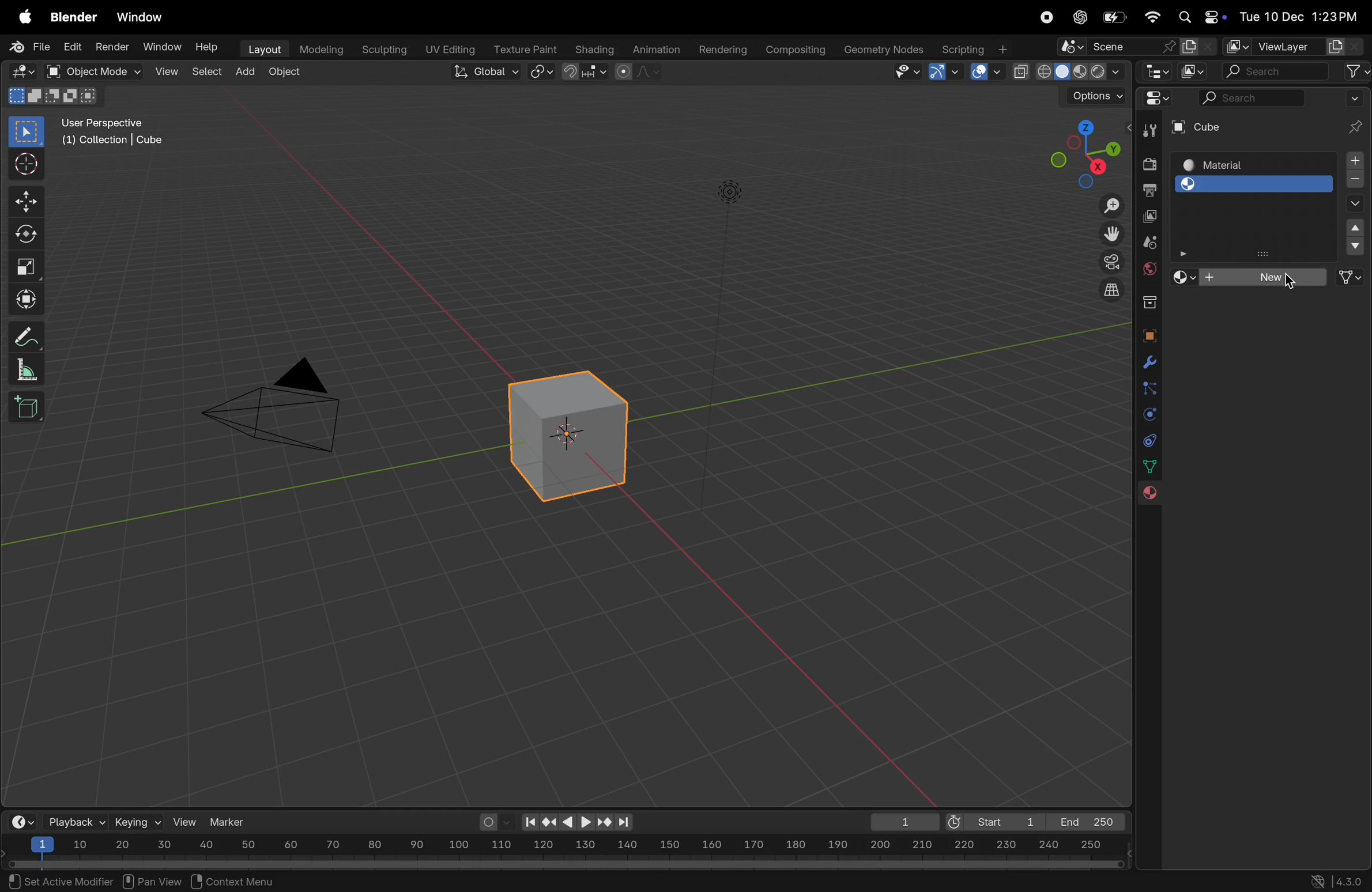  I want to click on scene, so click(1137, 47).